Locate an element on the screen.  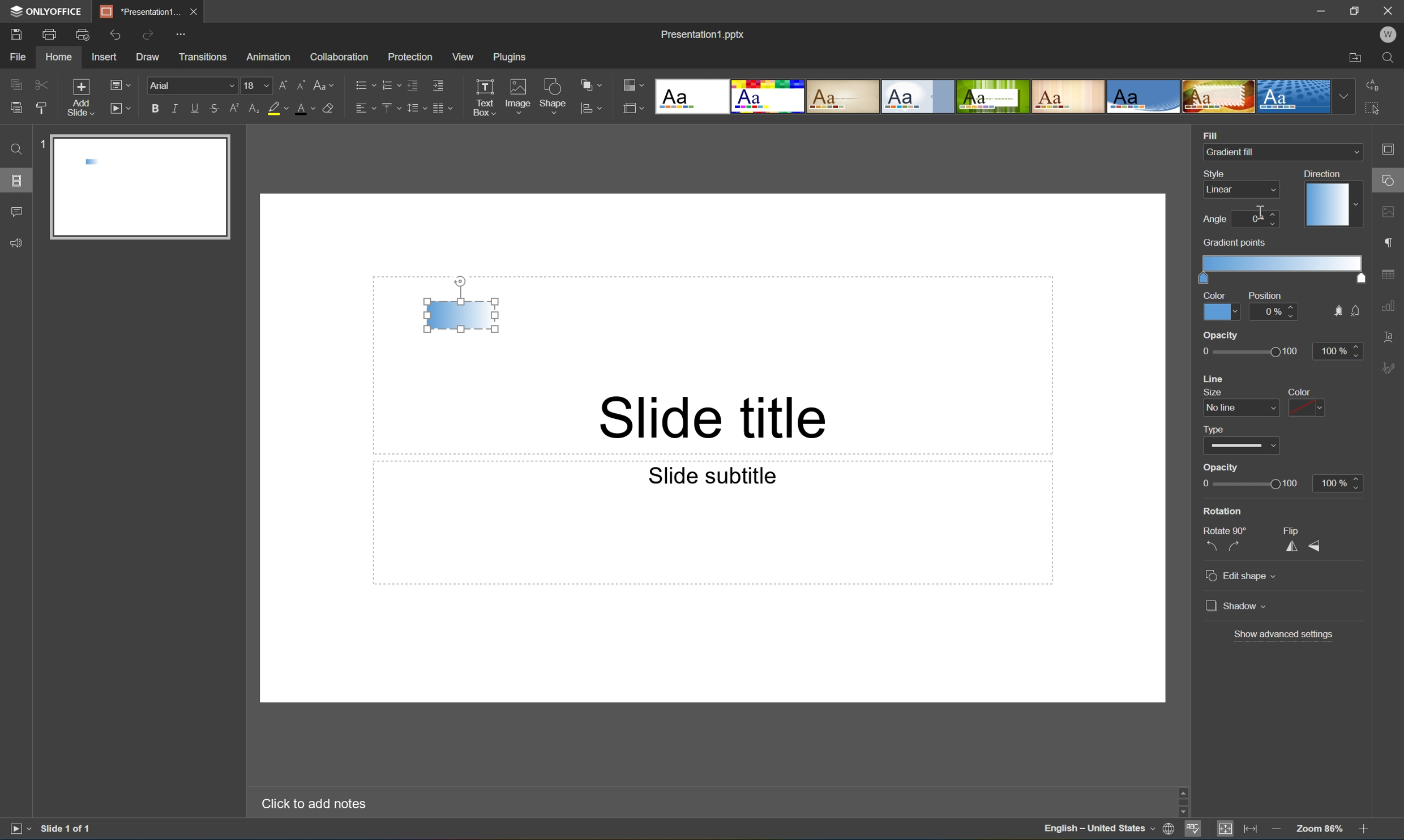
Line spacing is located at coordinates (415, 108).